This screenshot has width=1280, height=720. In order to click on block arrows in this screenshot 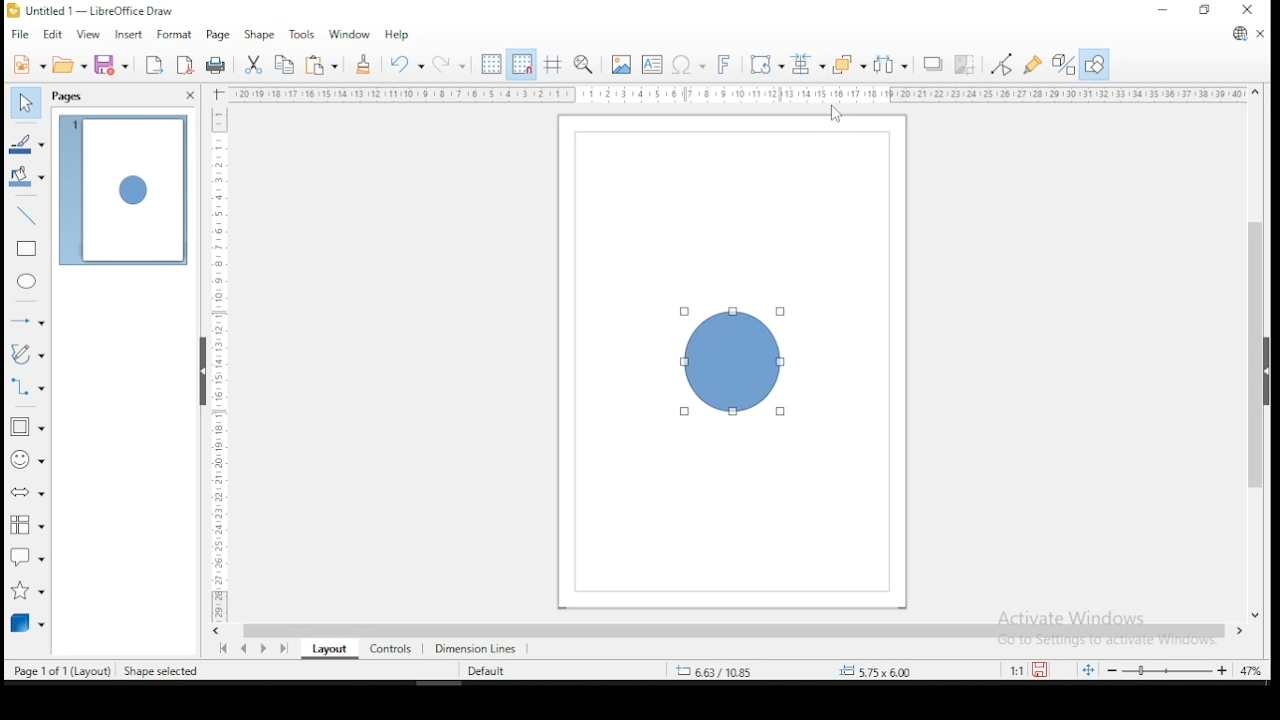, I will do `click(28, 495)`.